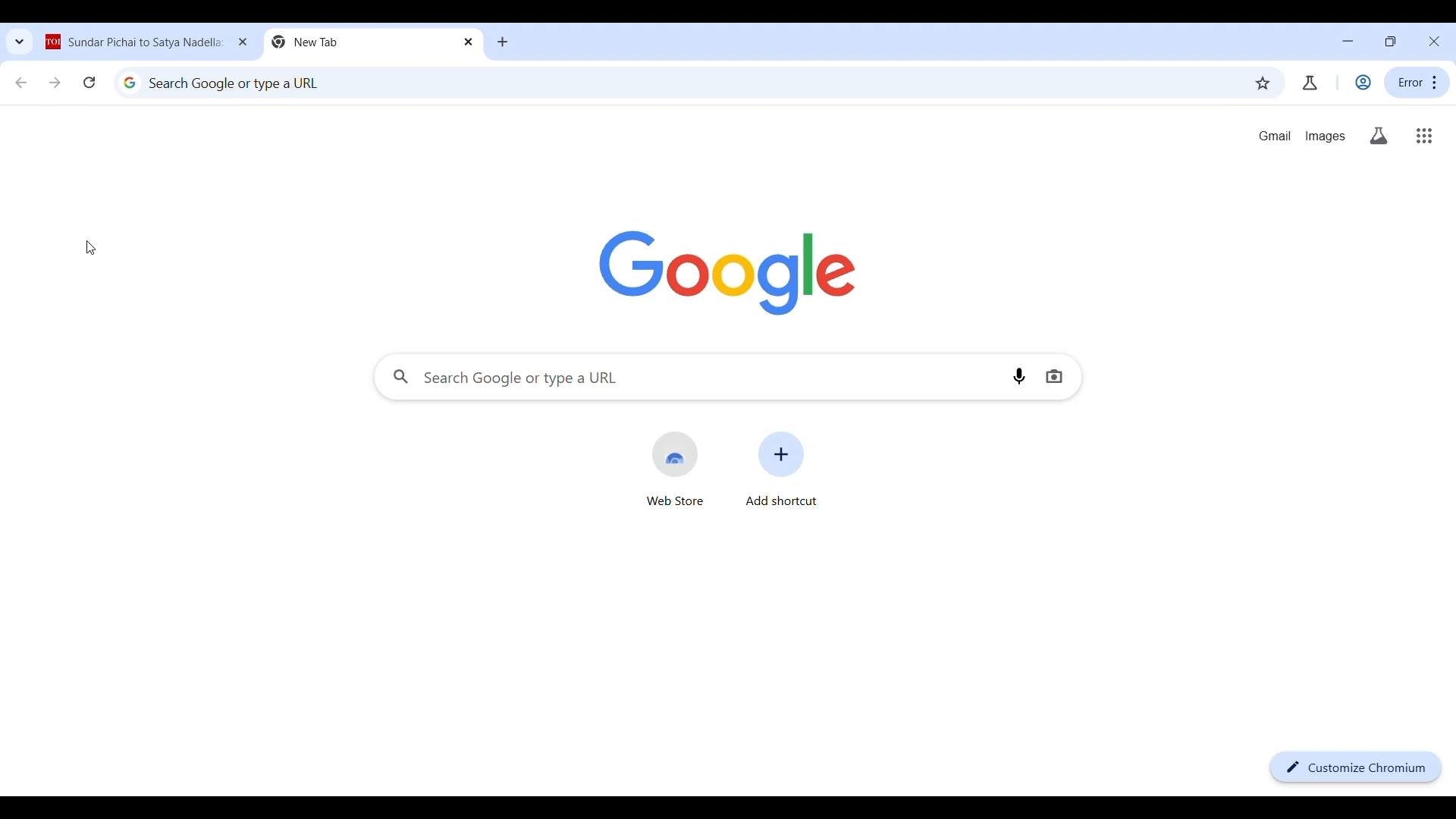 This screenshot has height=819, width=1456. What do you see at coordinates (1424, 136) in the screenshot?
I see `Google apps` at bounding box center [1424, 136].